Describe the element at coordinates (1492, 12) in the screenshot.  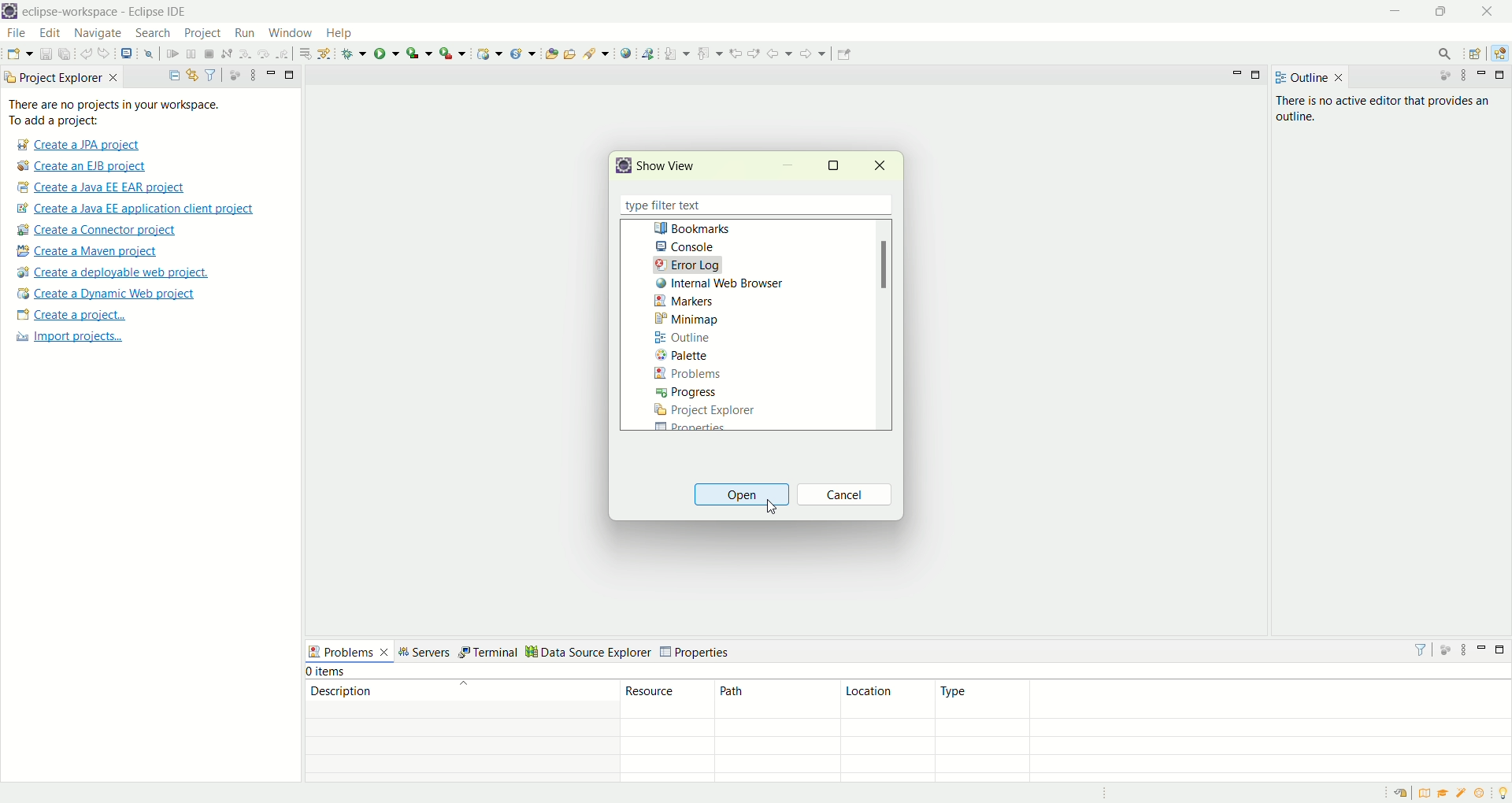
I see `close` at that location.